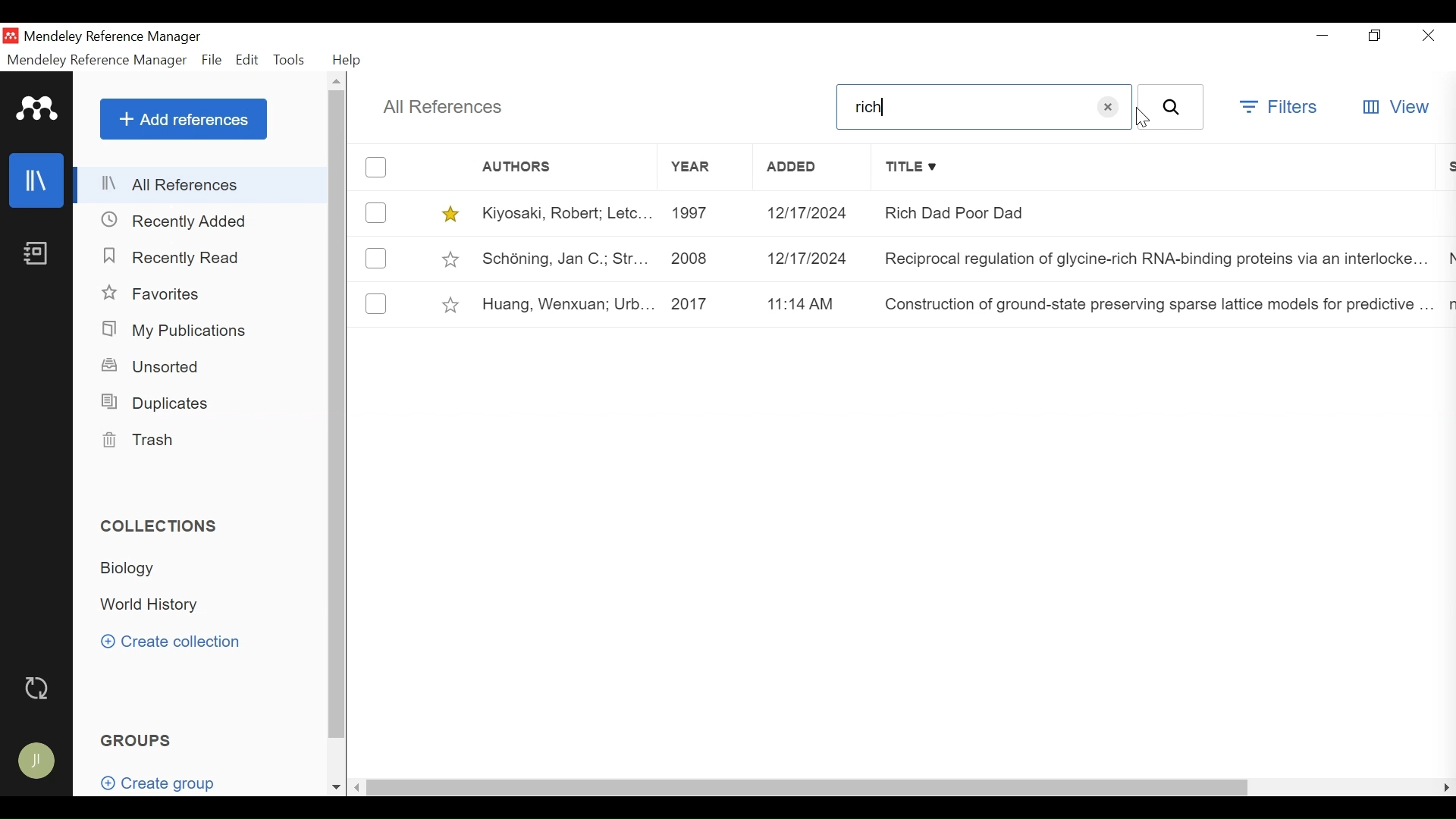 This screenshot has width=1456, height=819. What do you see at coordinates (1159, 168) in the screenshot?
I see `Title` at bounding box center [1159, 168].